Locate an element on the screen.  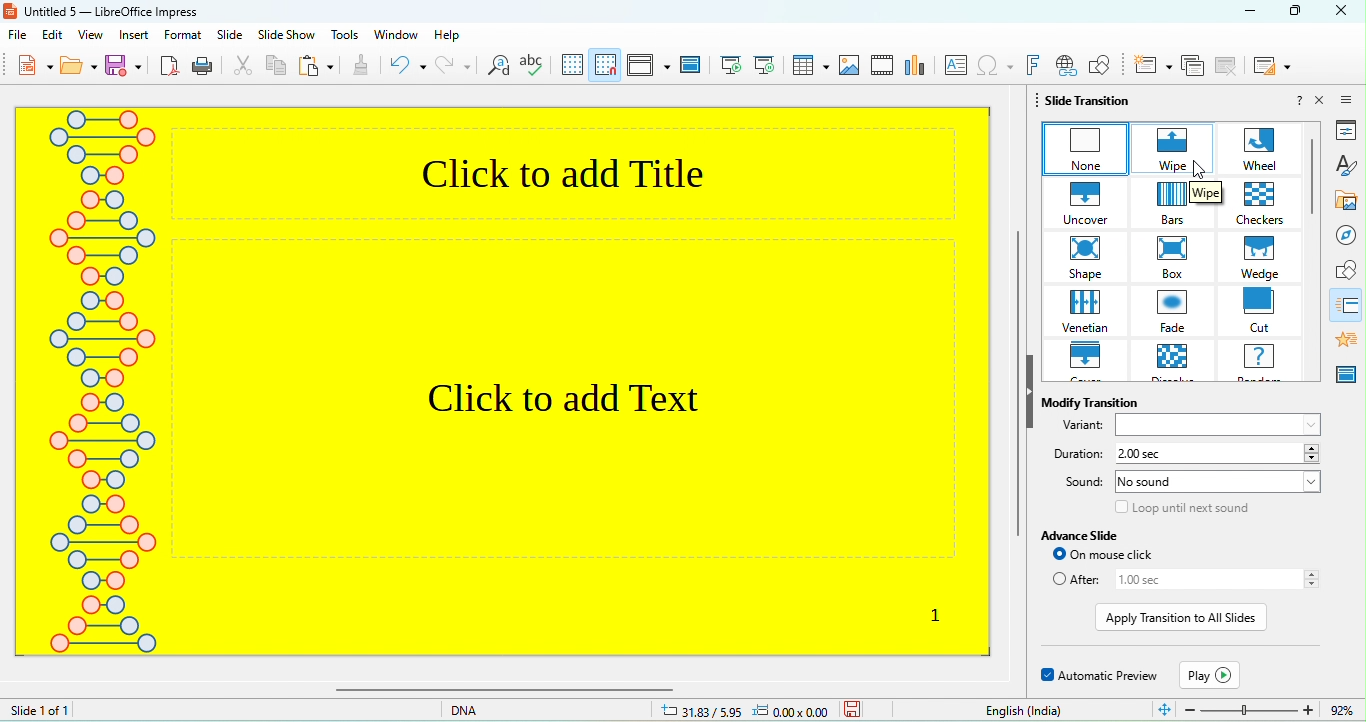
wheel is located at coordinates (1264, 150).